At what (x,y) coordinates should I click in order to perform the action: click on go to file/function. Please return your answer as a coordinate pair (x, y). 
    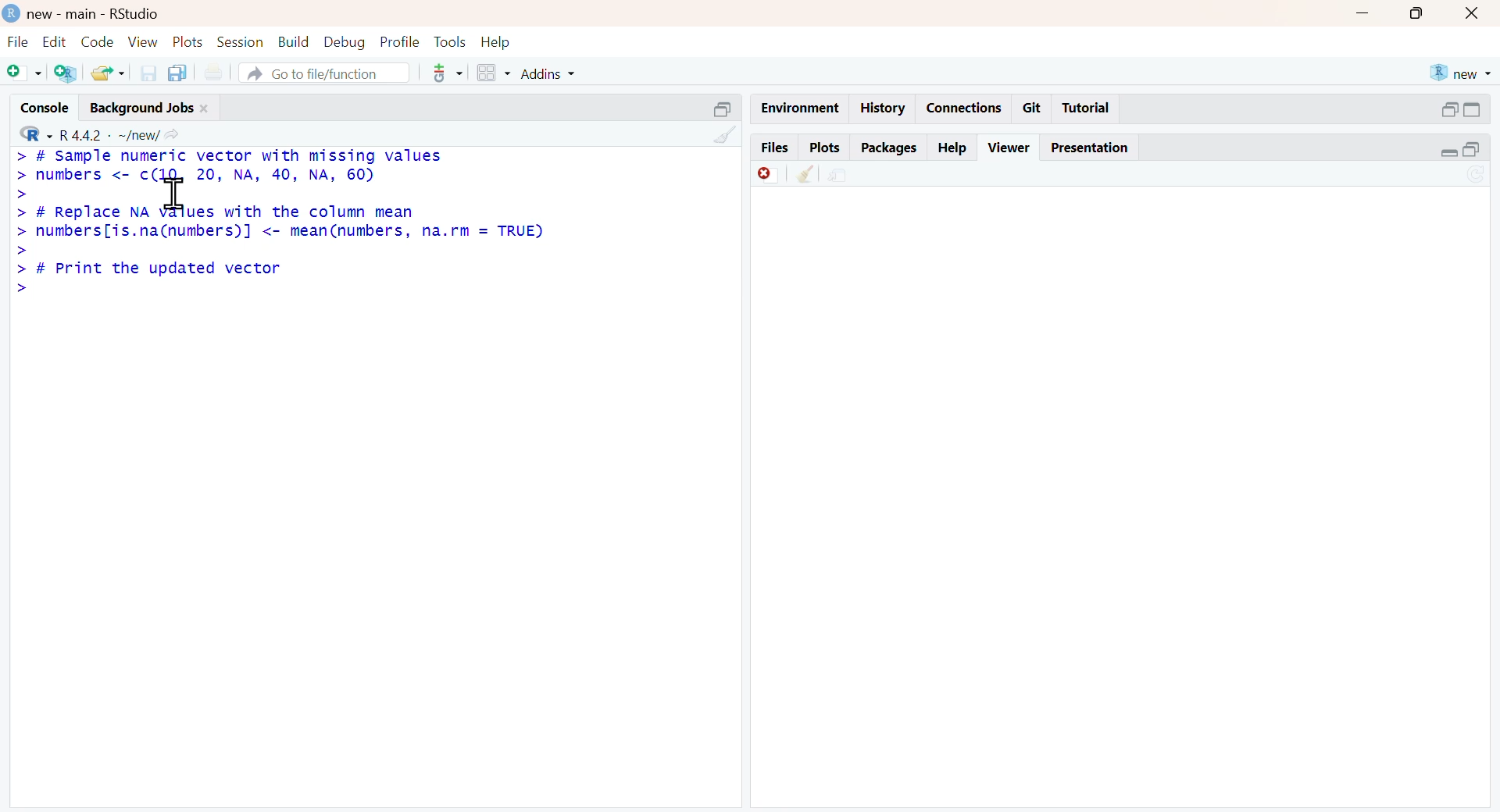
    Looking at the image, I should click on (325, 73).